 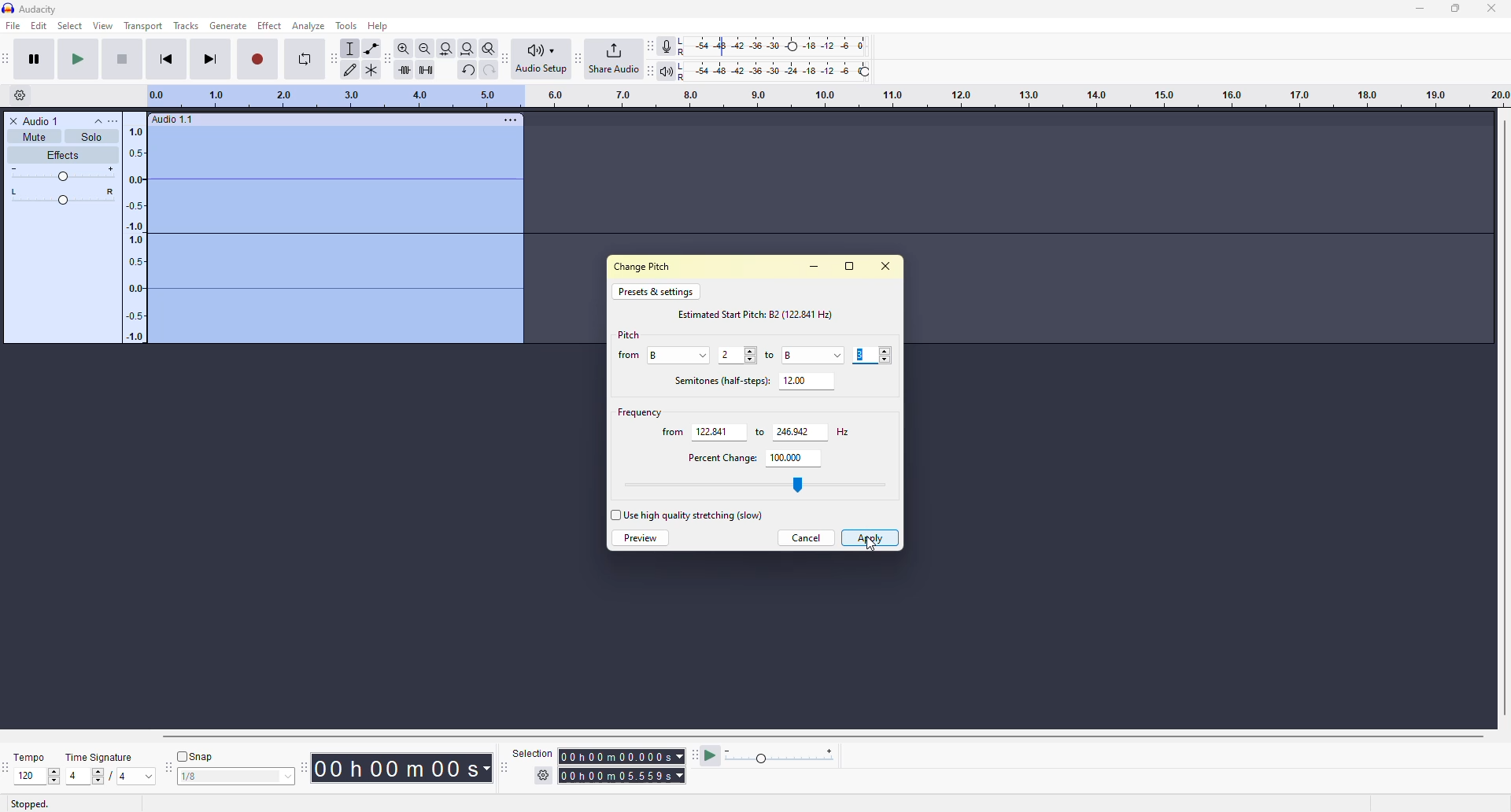 I want to click on mute, so click(x=33, y=137).